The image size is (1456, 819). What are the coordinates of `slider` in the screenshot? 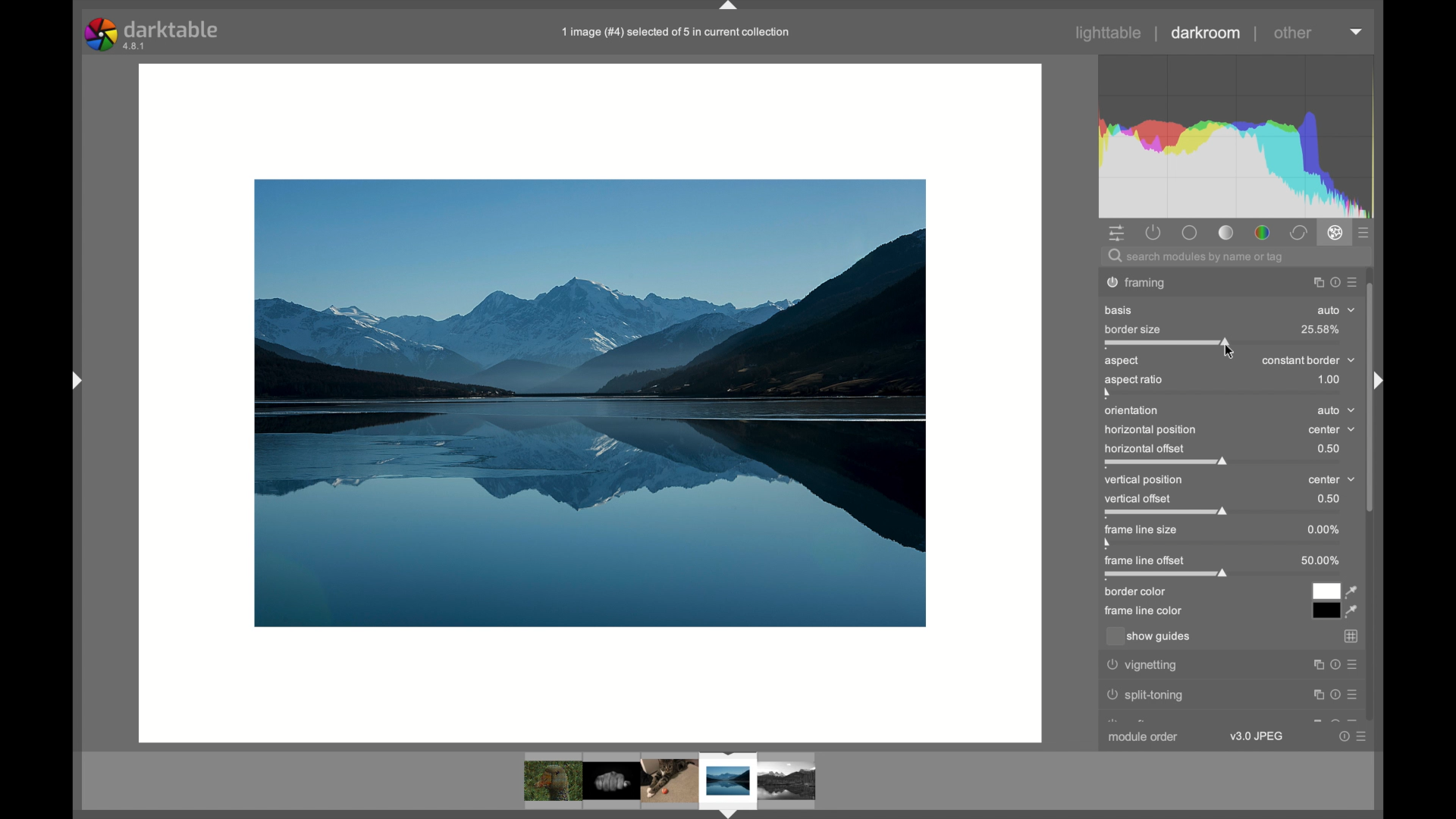 It's located at (1169, 344).